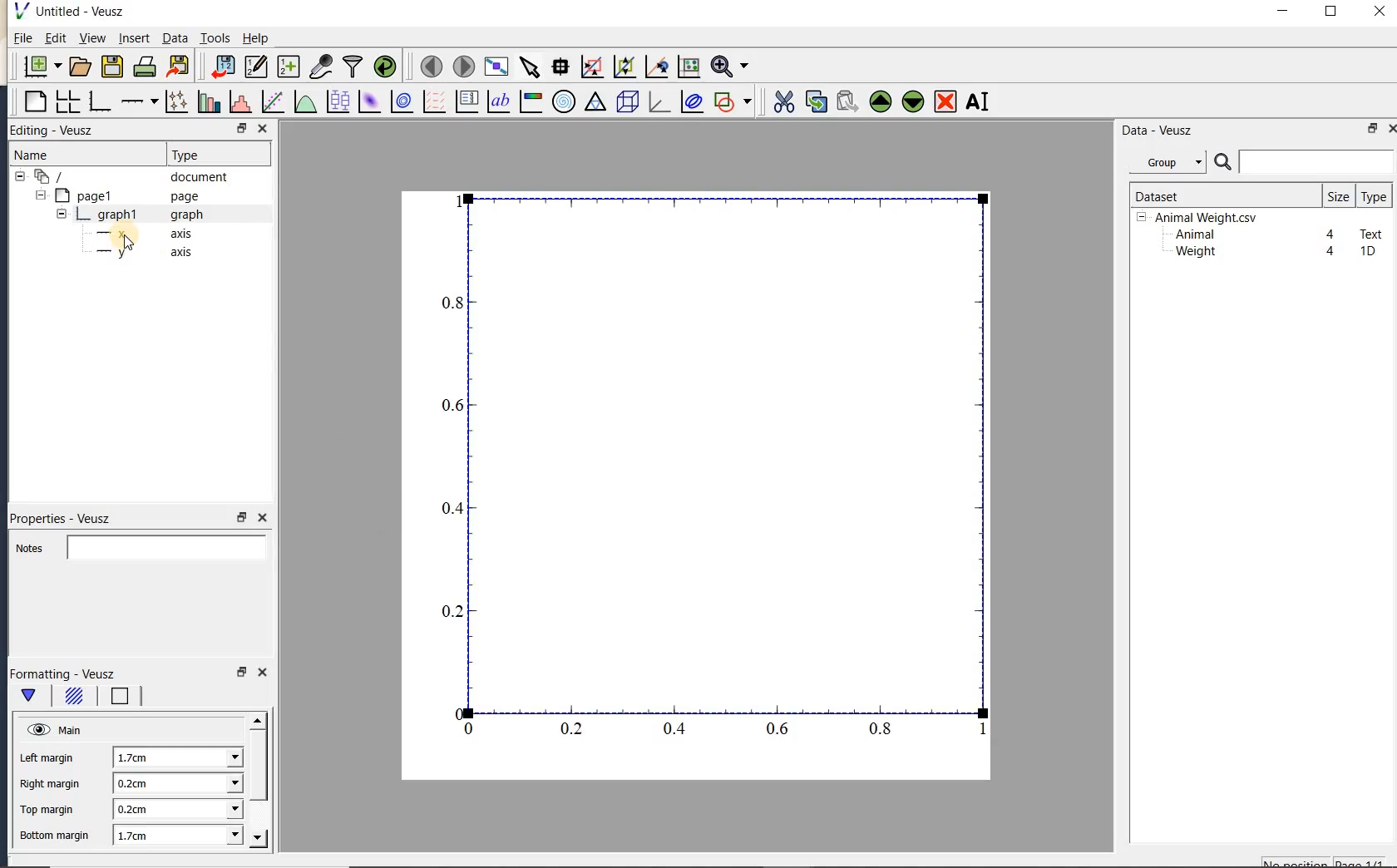 The image size is (1397, 868). I want to click on cursor, so click(126, 243).